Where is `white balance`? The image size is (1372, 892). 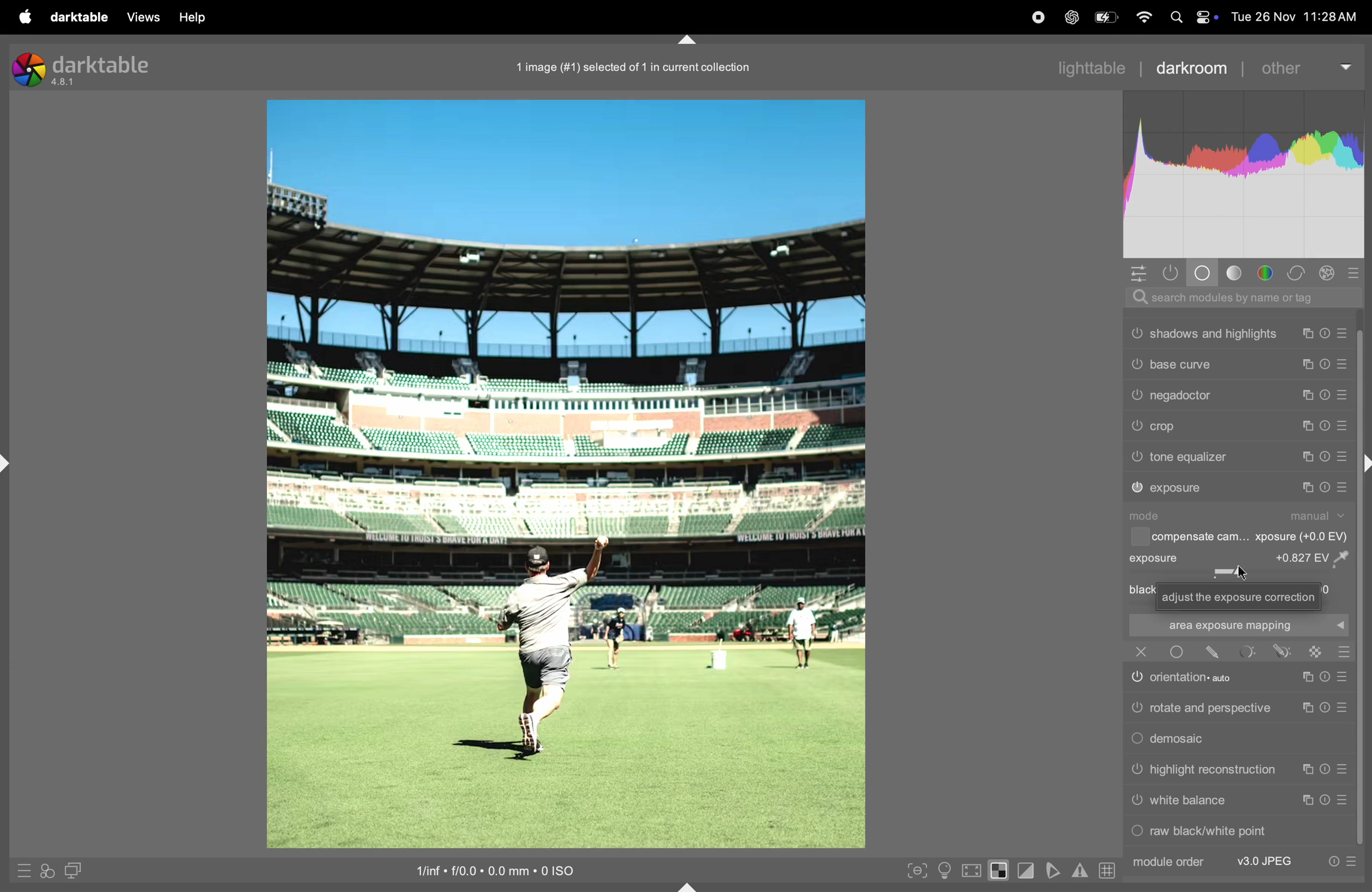 white balance is located at coordinates (1189, 800).